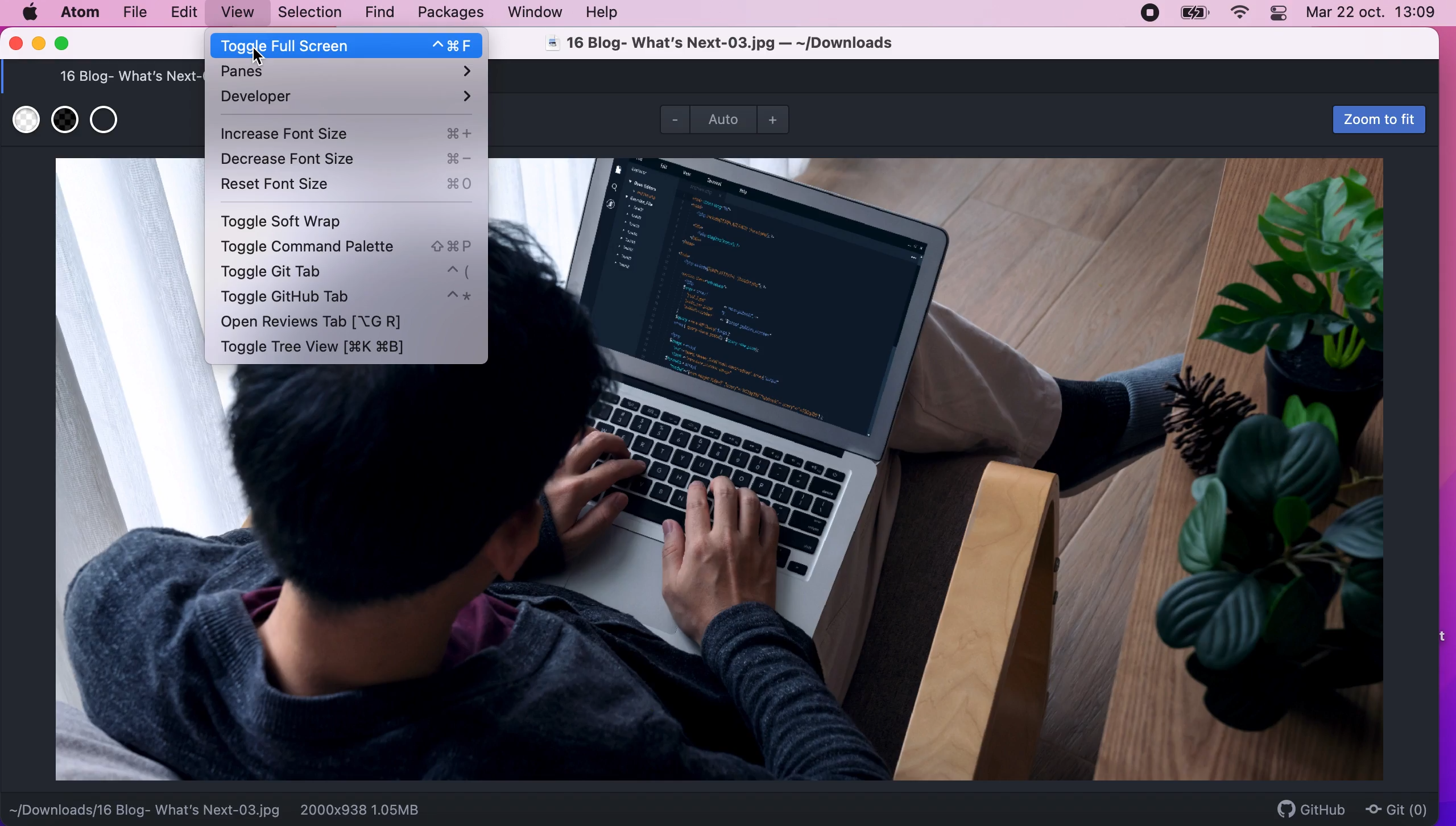 This screenshot has height=826, width=1456. I want to click on battery, so click(1191, 14).